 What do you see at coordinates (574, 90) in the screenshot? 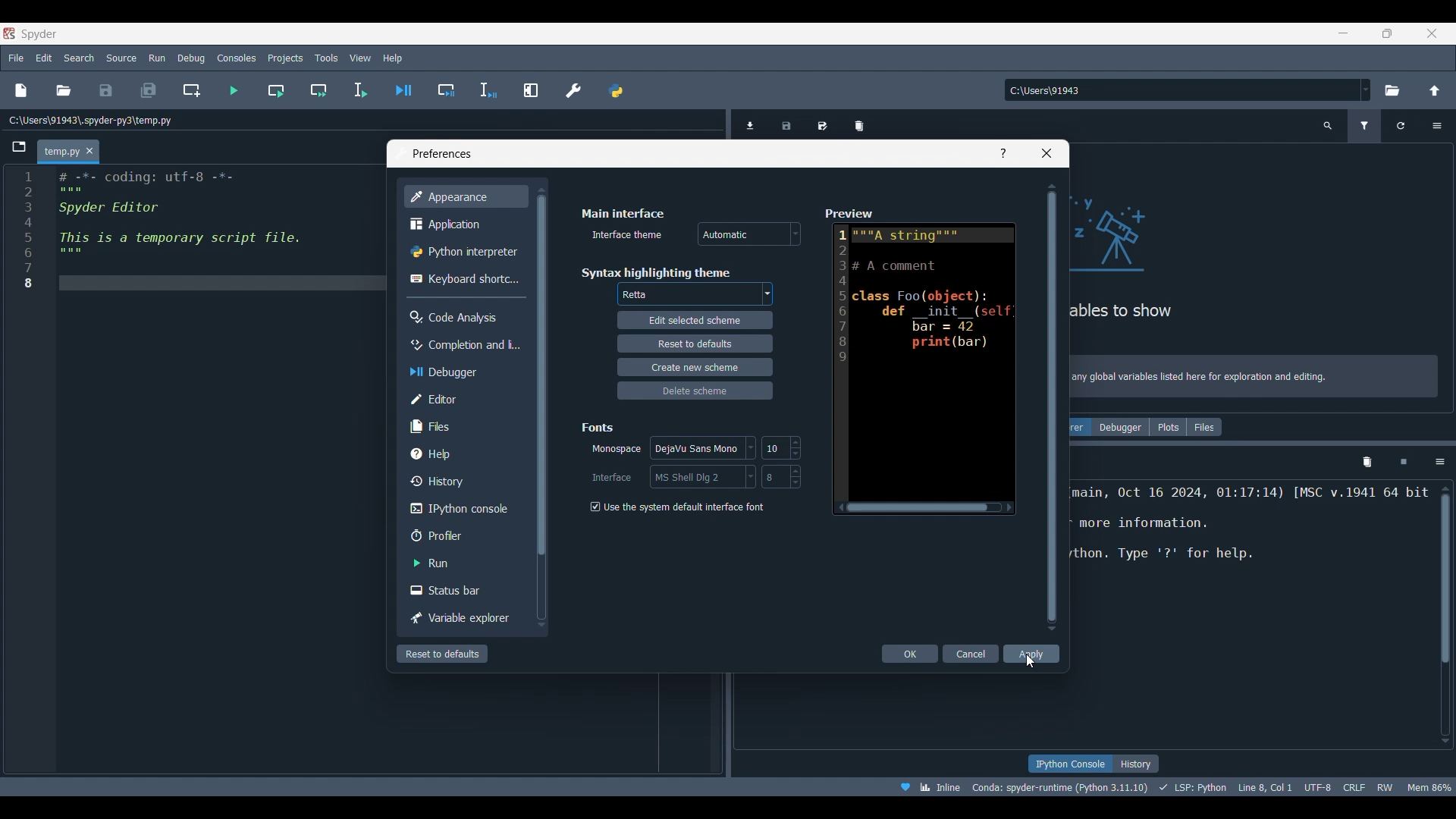
I see `Preferences` at bounding box center [574, 90].